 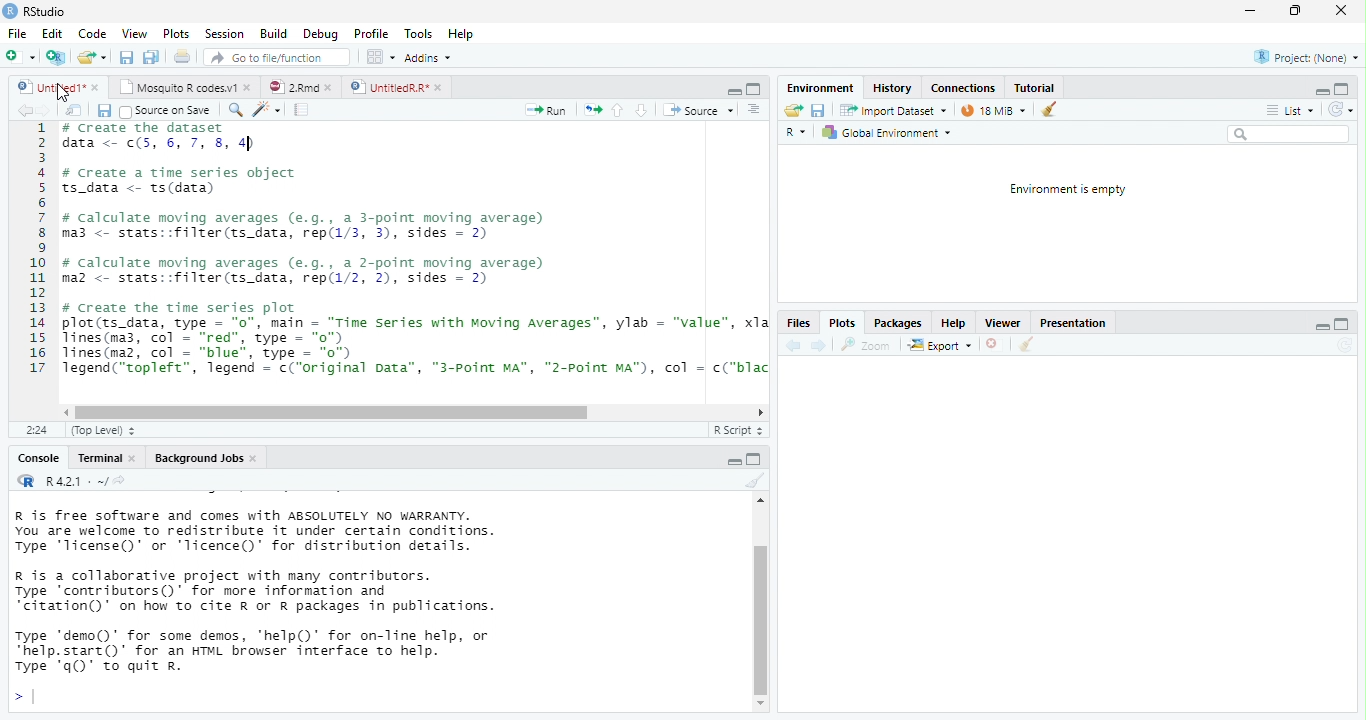 What do you see at coordinates (819, 345) in the screenshot?
I see `next` at bounding box center [819, 345].